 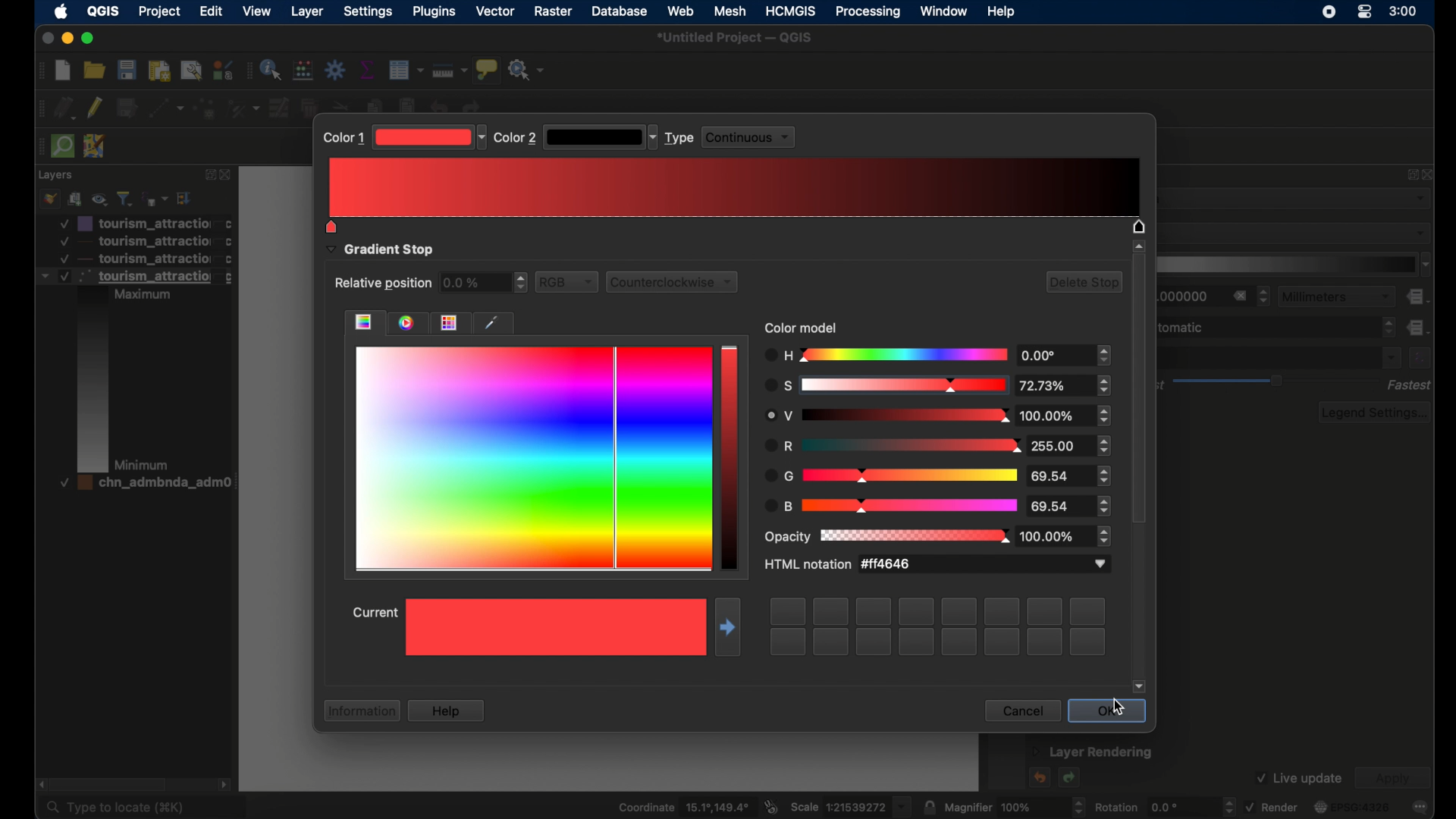 I want to click on continuous, so click(x=752, y=136).